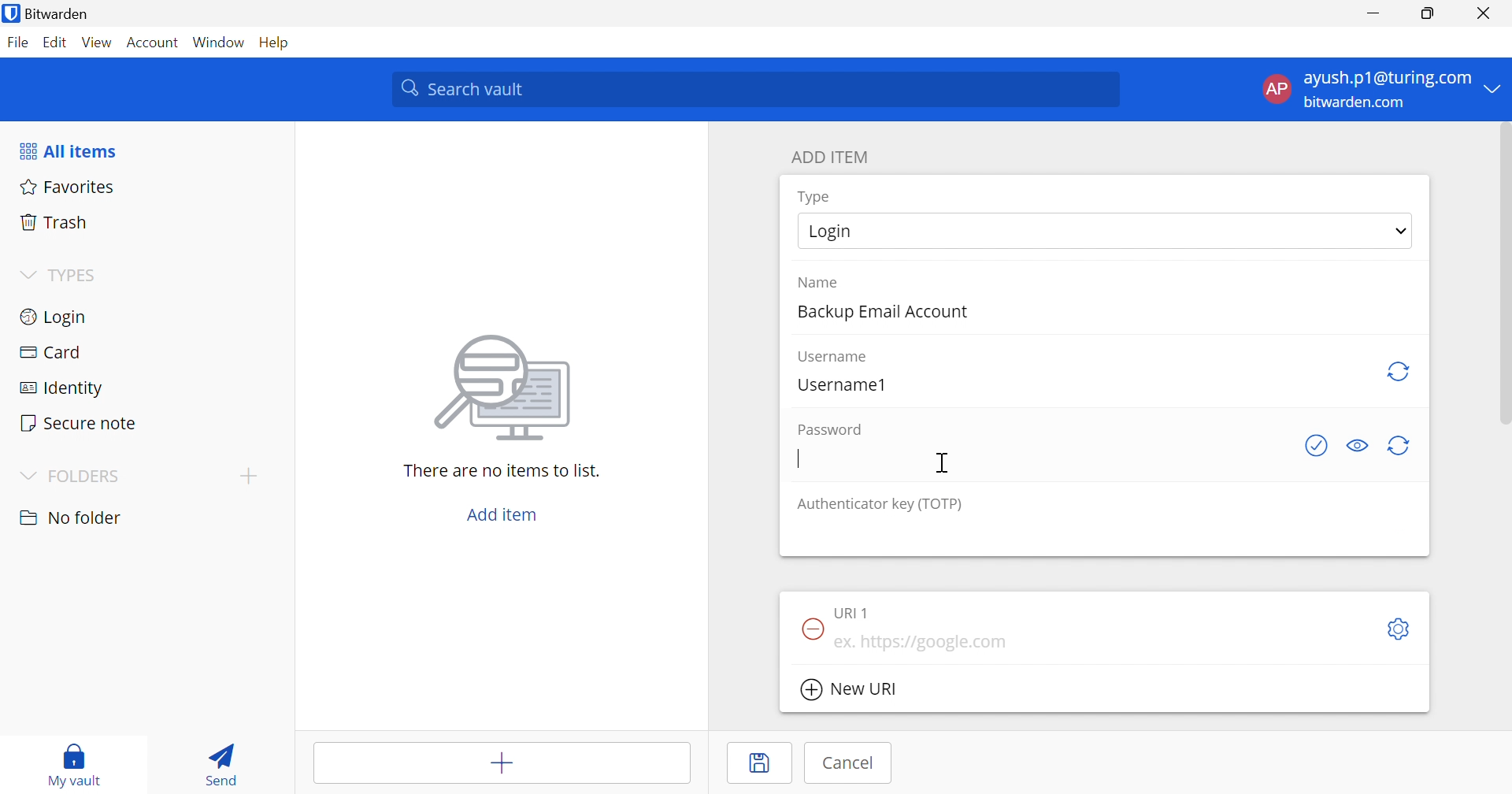  I want to click on Username, so click(835, 358).